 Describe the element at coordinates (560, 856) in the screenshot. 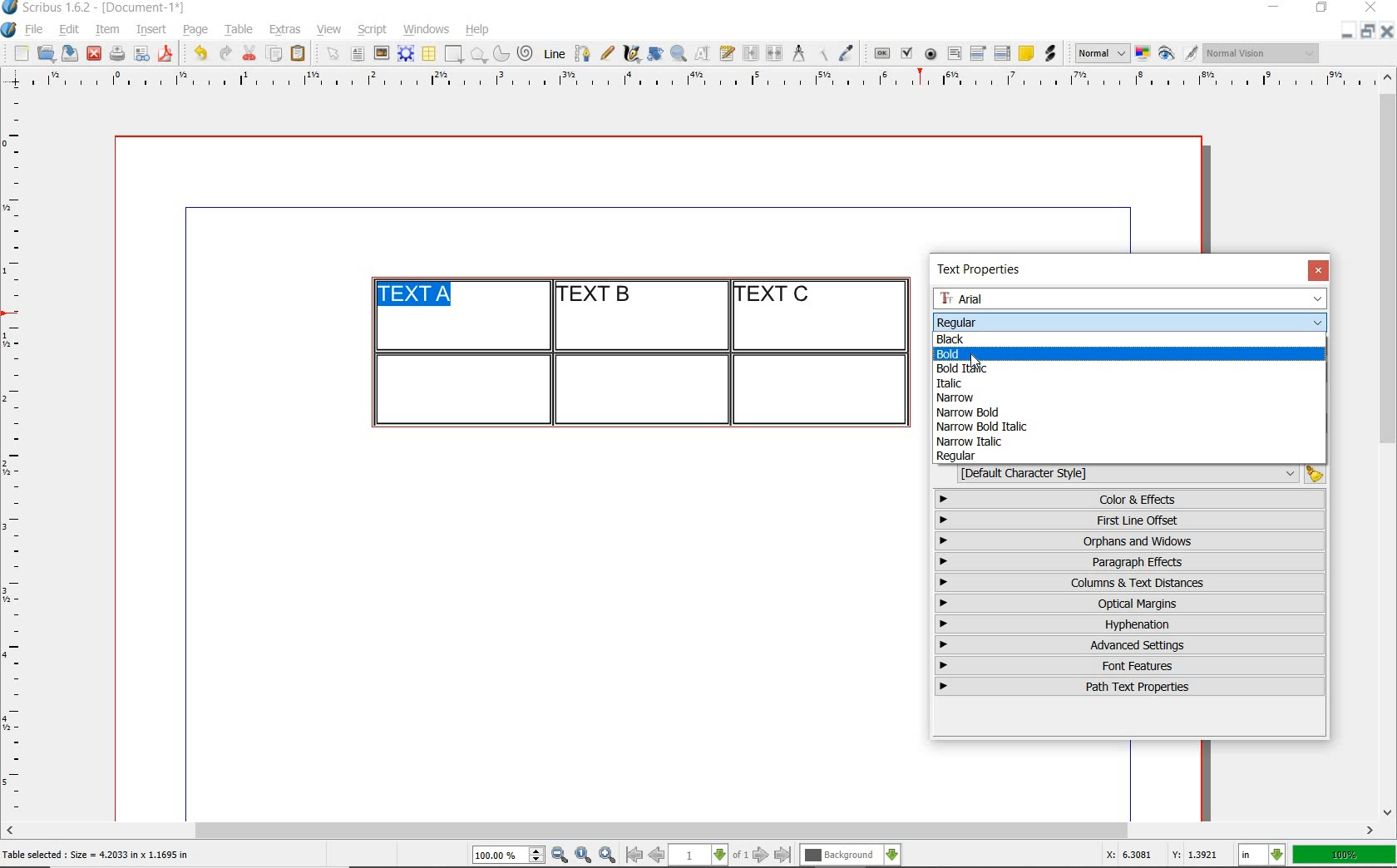

I see `zoom out` at that location.